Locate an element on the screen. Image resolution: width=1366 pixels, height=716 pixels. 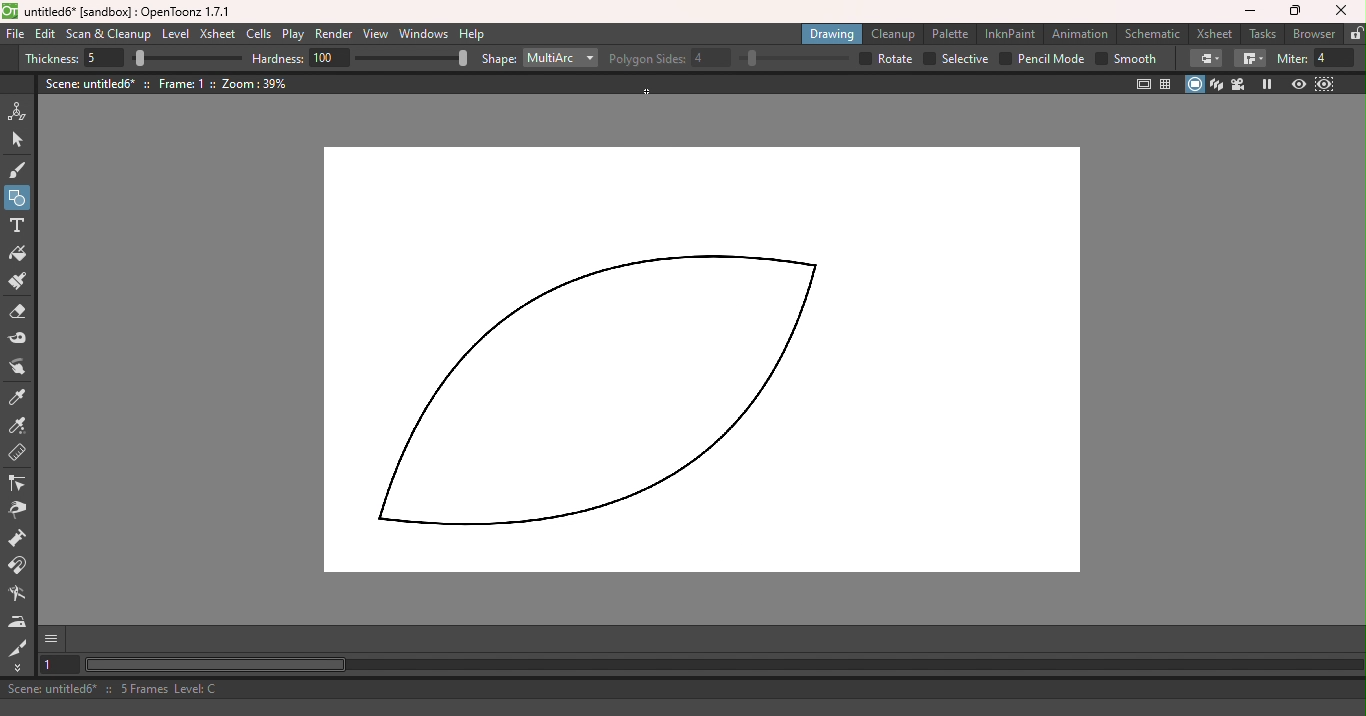
Camera view is located at coordinates (1238, 85).